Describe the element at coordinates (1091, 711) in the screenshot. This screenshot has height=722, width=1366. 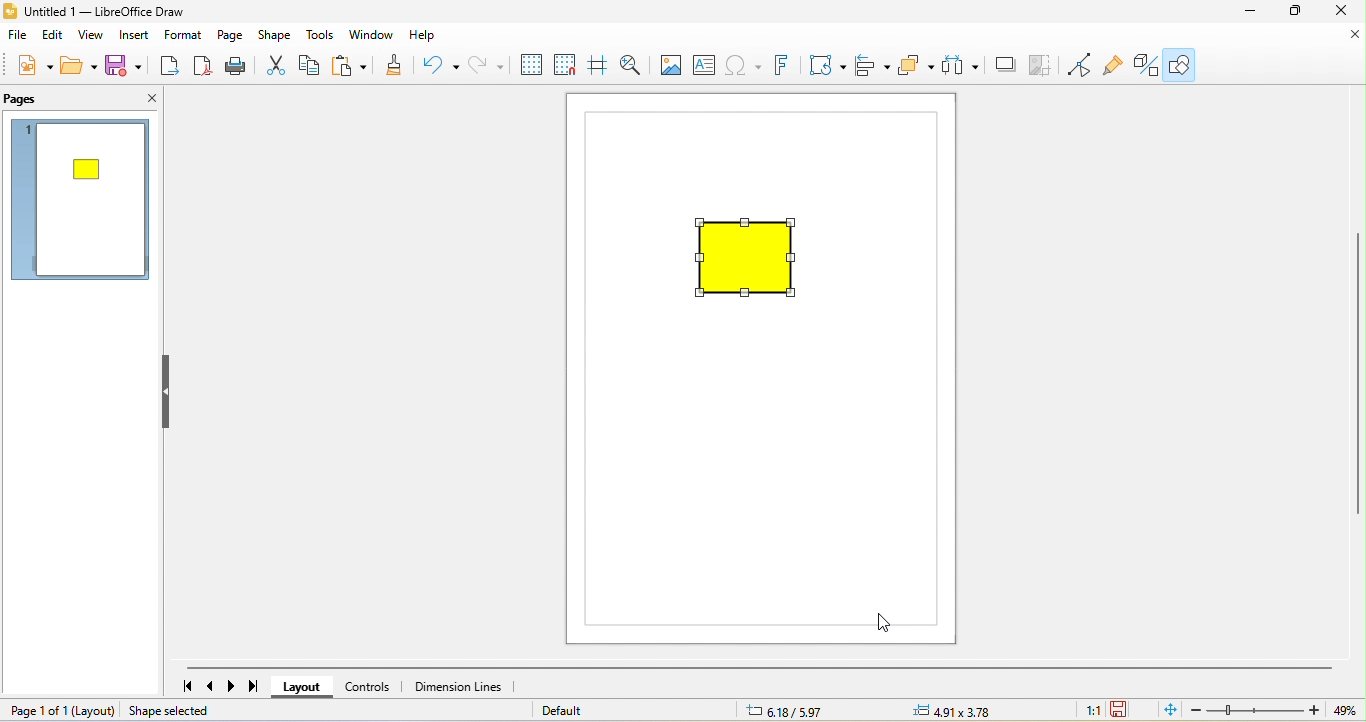
I see `1:1` at that location.